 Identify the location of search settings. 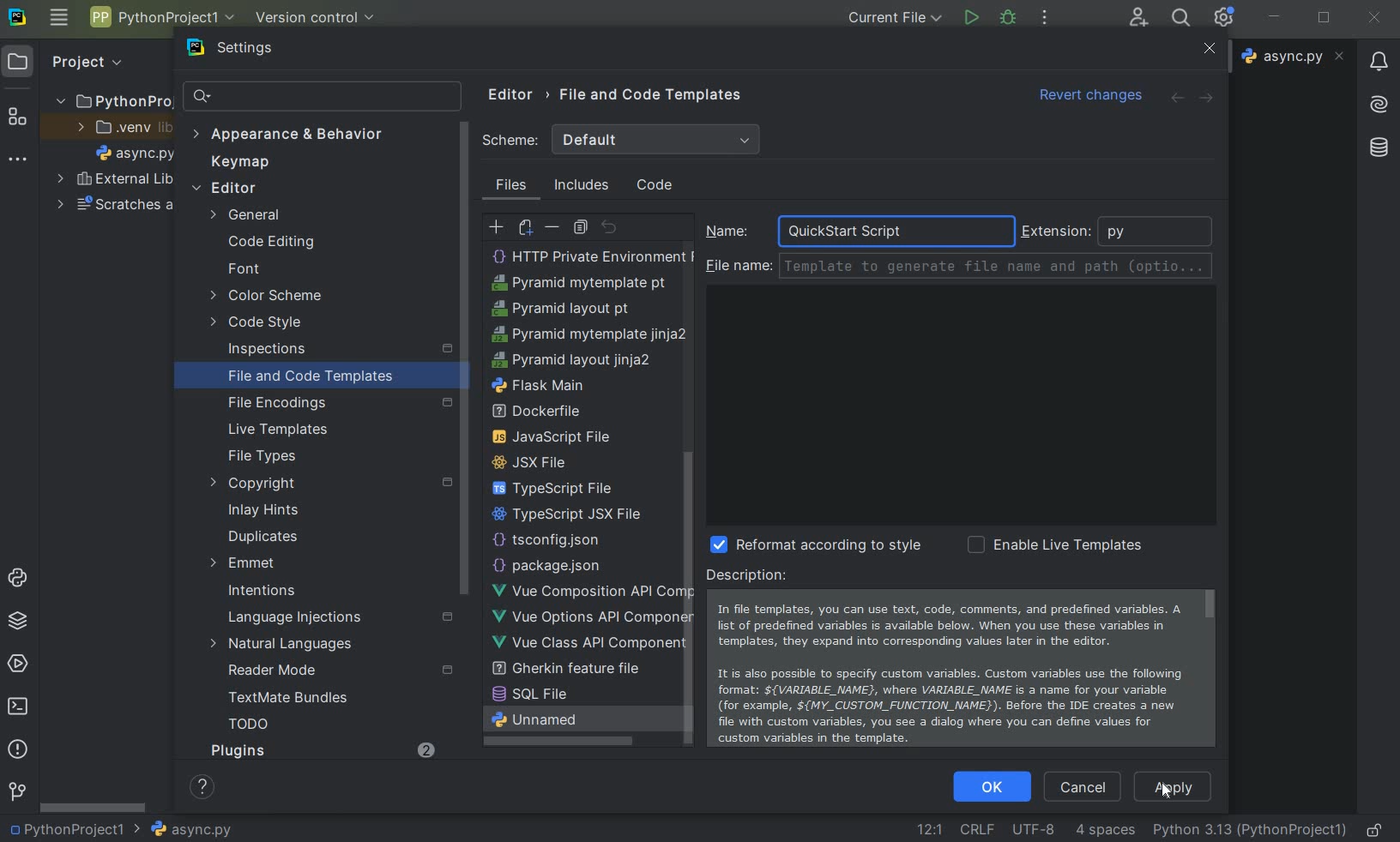
(323, 96).